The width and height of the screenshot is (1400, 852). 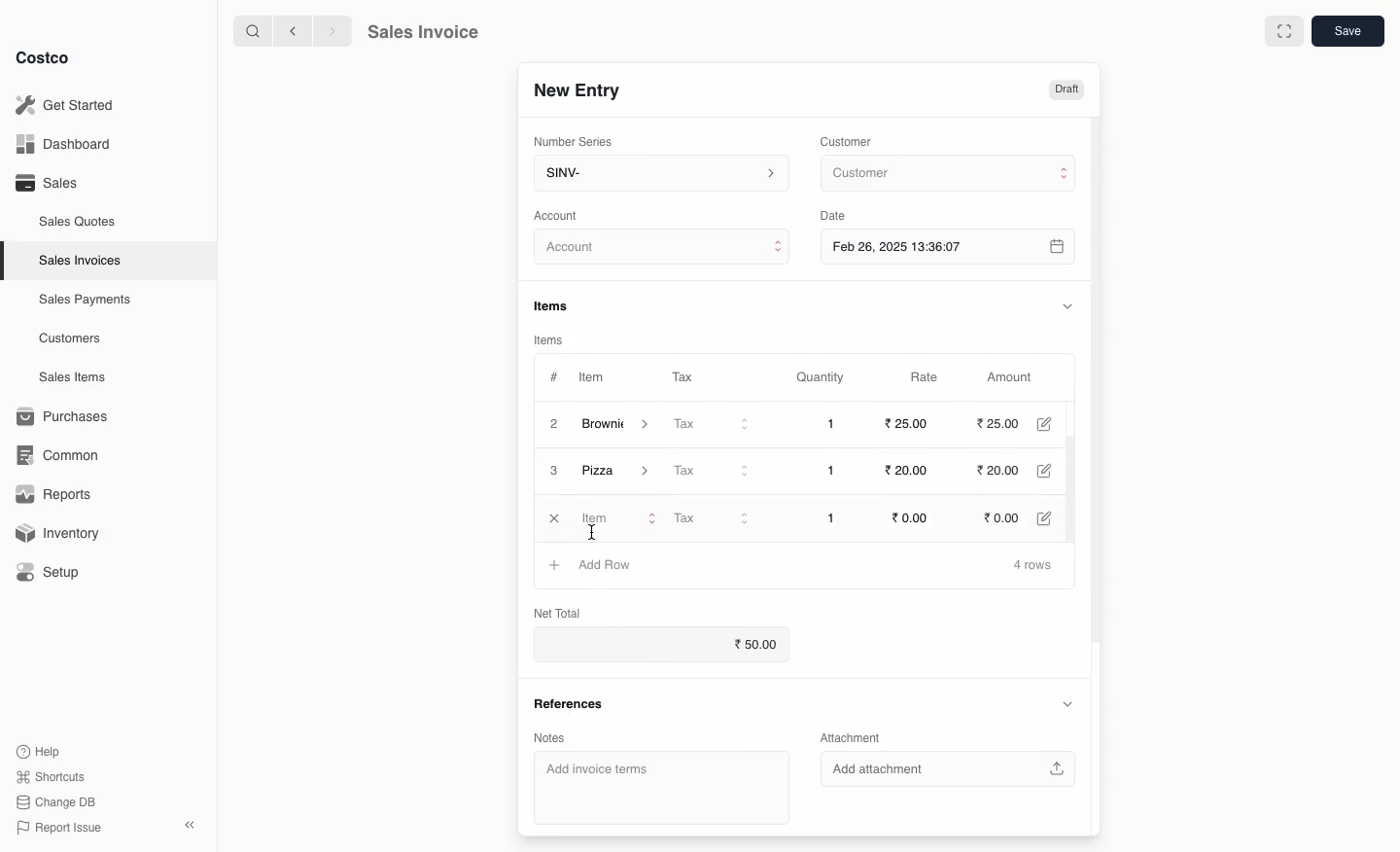 What do you see at coordinates (291, 31) in the screenshot?
I see `Back` at bounding box center [291, 31].